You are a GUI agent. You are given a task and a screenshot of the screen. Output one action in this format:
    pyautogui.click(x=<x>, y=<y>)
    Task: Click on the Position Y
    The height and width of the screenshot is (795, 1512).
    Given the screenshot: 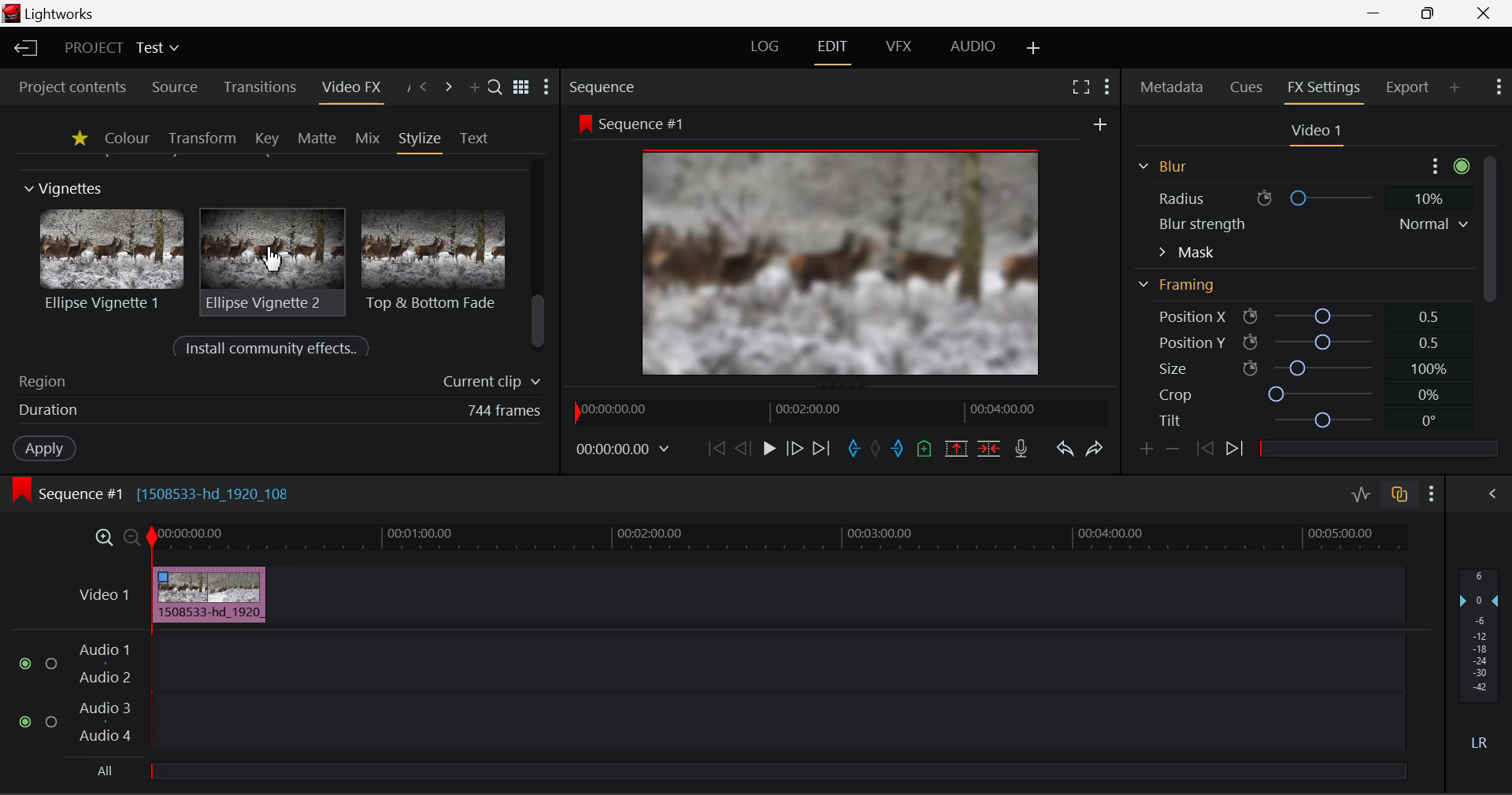 What is the action you would take?
    pyautogui.click(x=1296, y=342)
    